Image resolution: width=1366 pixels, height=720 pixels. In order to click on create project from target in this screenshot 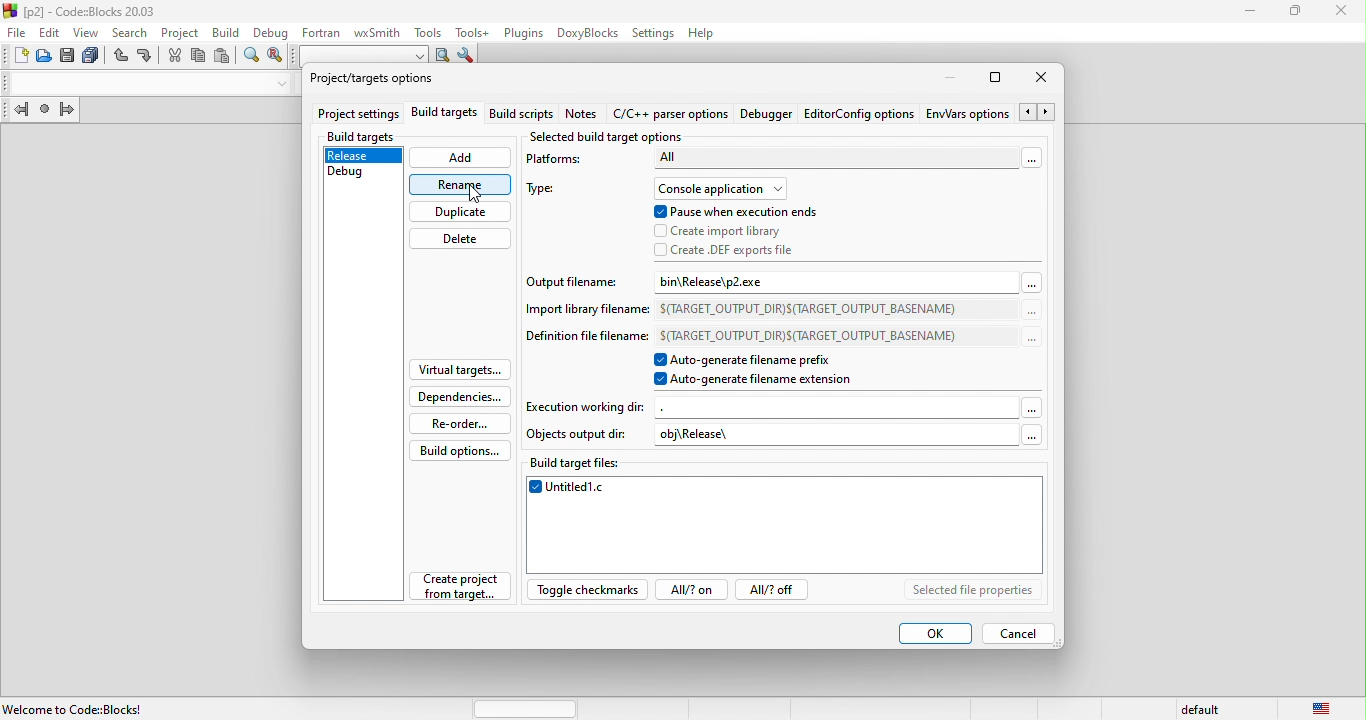, I will do `click(458, 586)`.